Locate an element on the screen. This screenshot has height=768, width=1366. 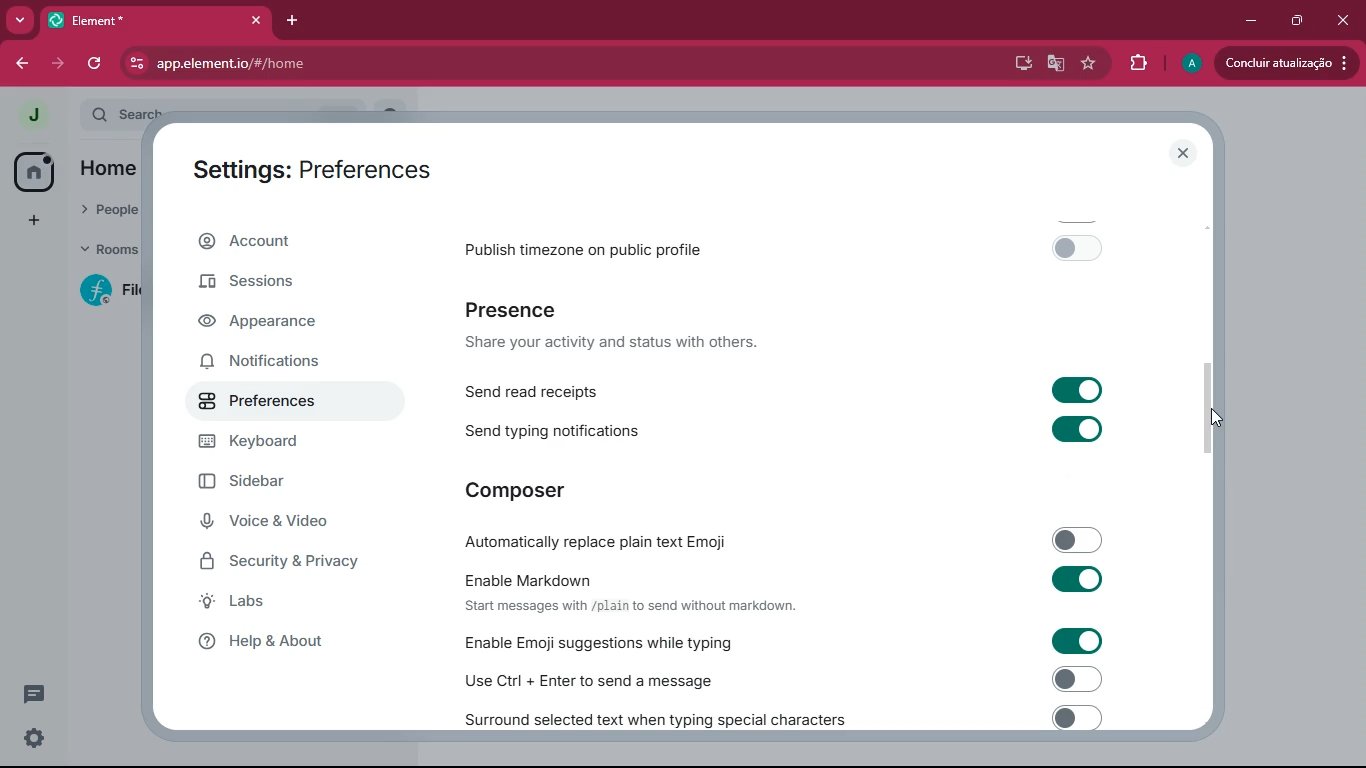
security is located at coordinates (292, 563).